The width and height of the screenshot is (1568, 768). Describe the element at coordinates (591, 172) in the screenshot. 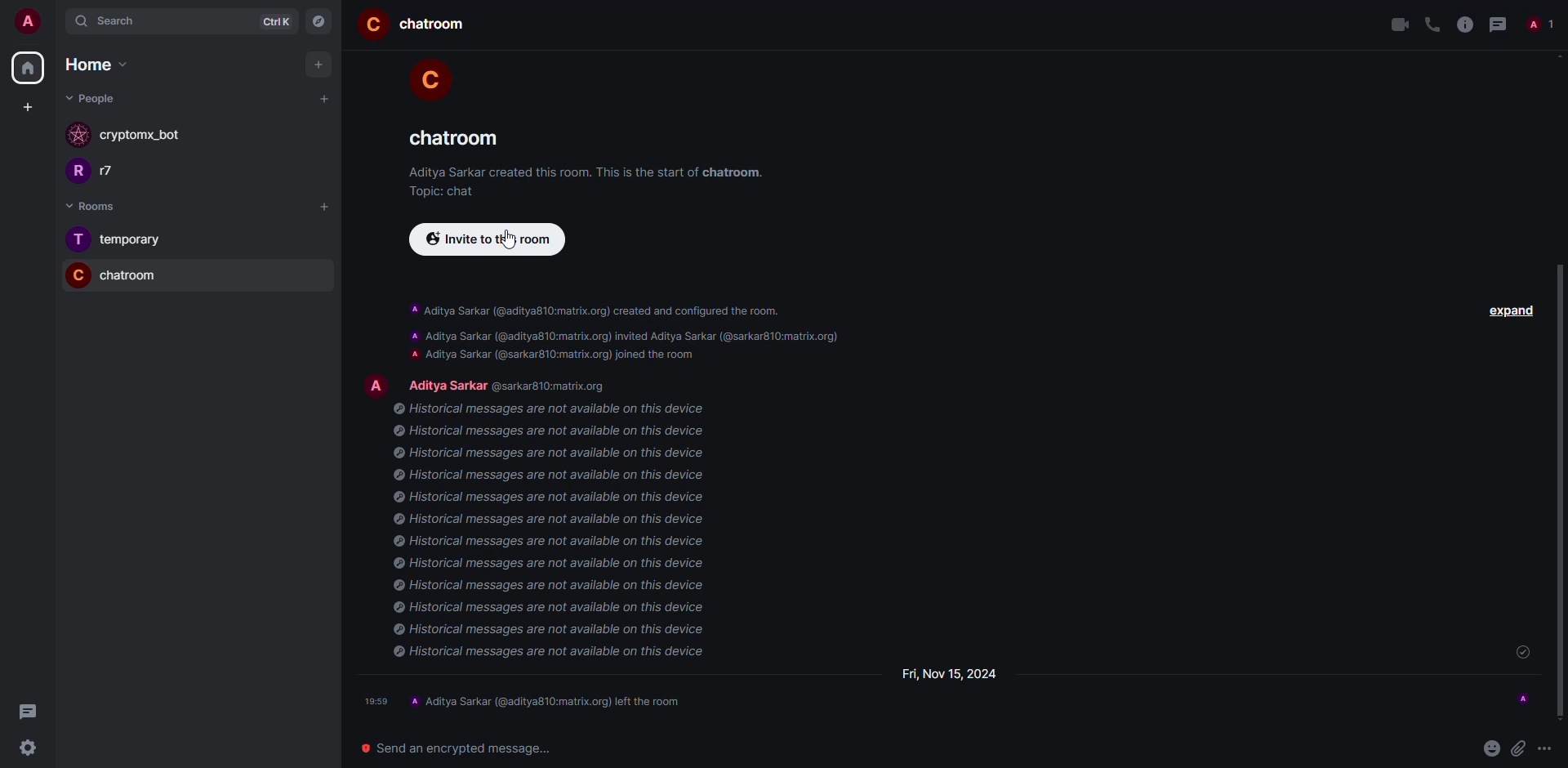

I see `info` at that location.